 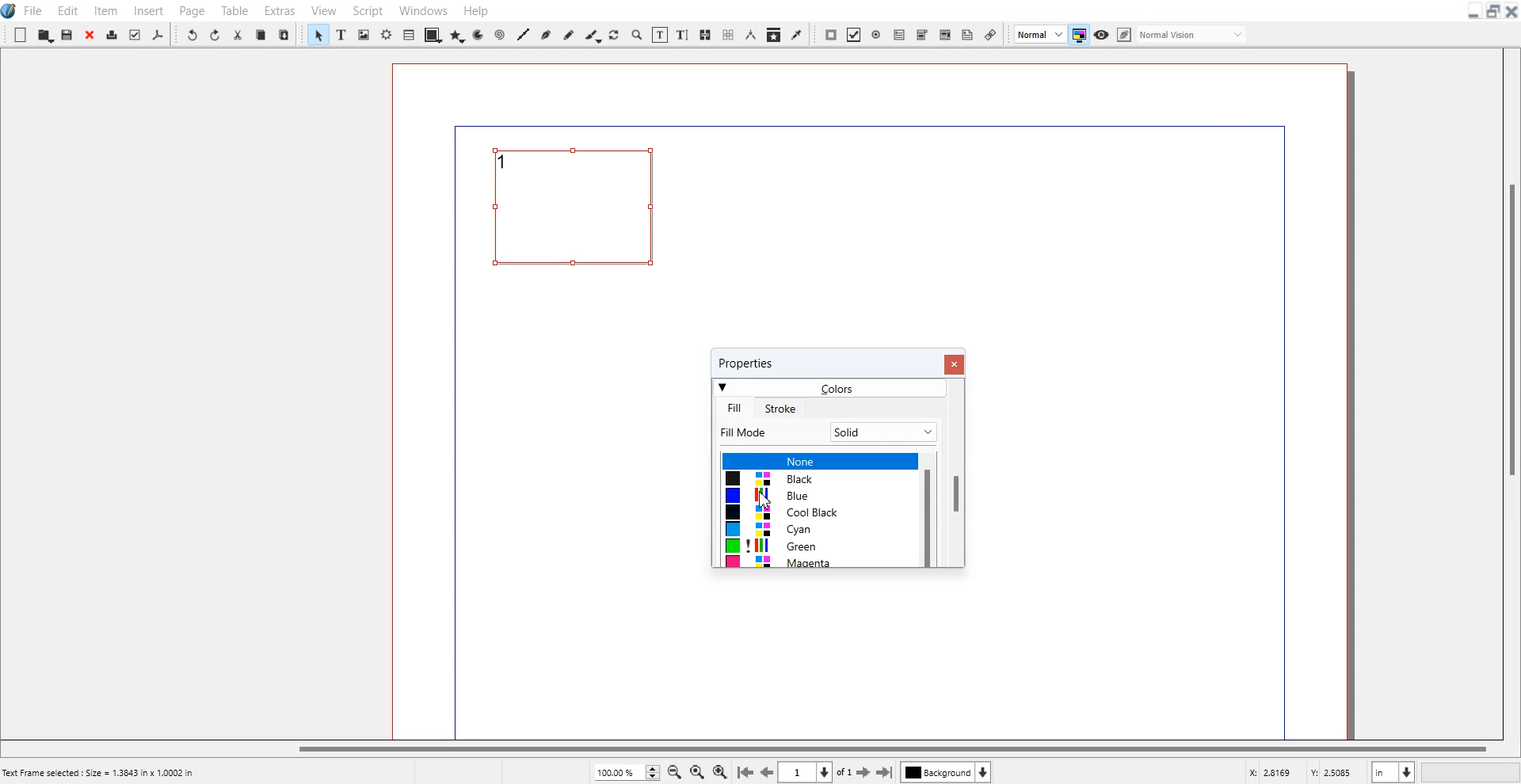 What do you see at coordinates (1303, 771) in the screenshot?
I see `X, Y Co-ordinate` at bounding box center [1303, 771].